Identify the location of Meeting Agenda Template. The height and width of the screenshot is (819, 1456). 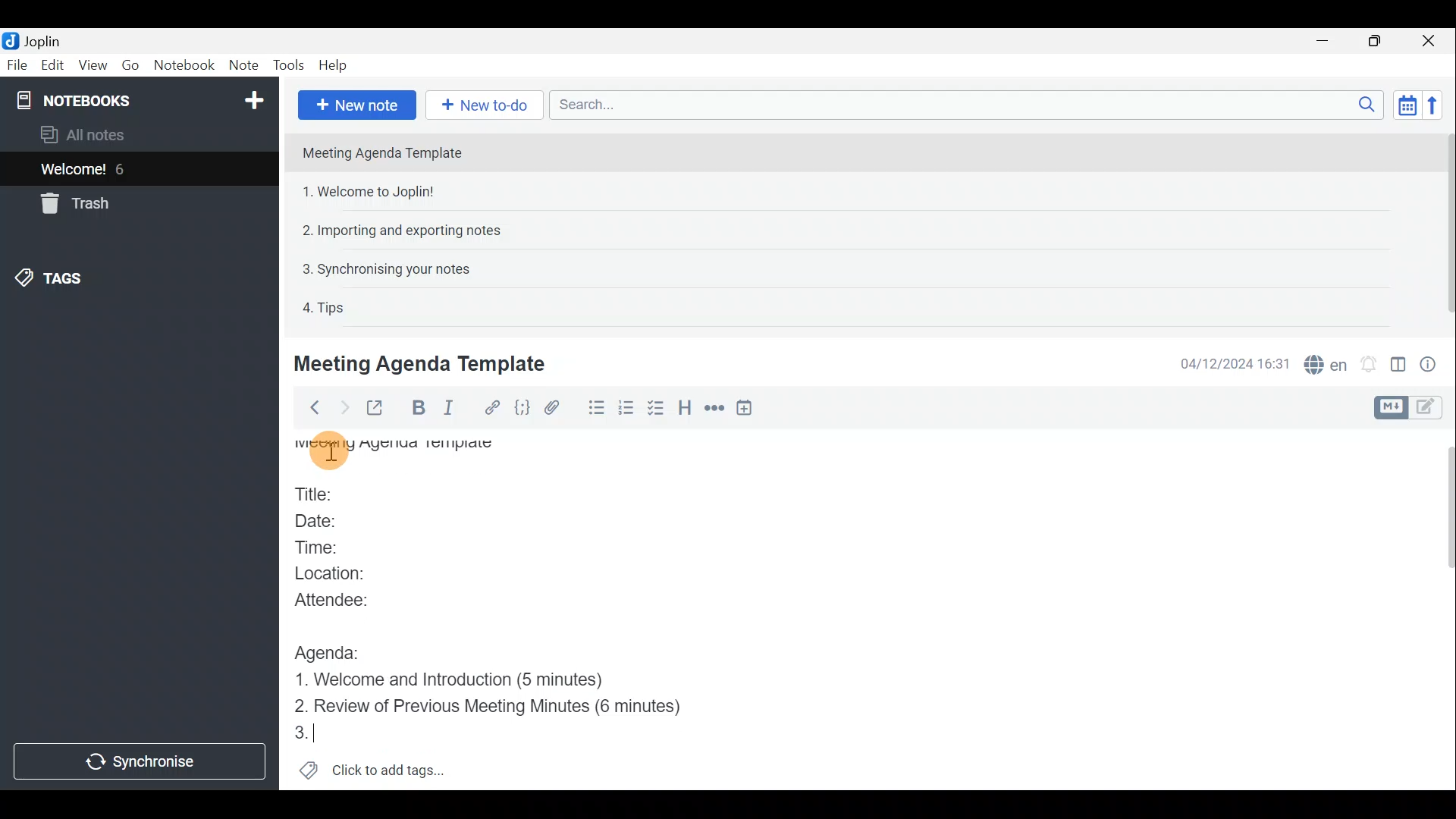
(422, 363).